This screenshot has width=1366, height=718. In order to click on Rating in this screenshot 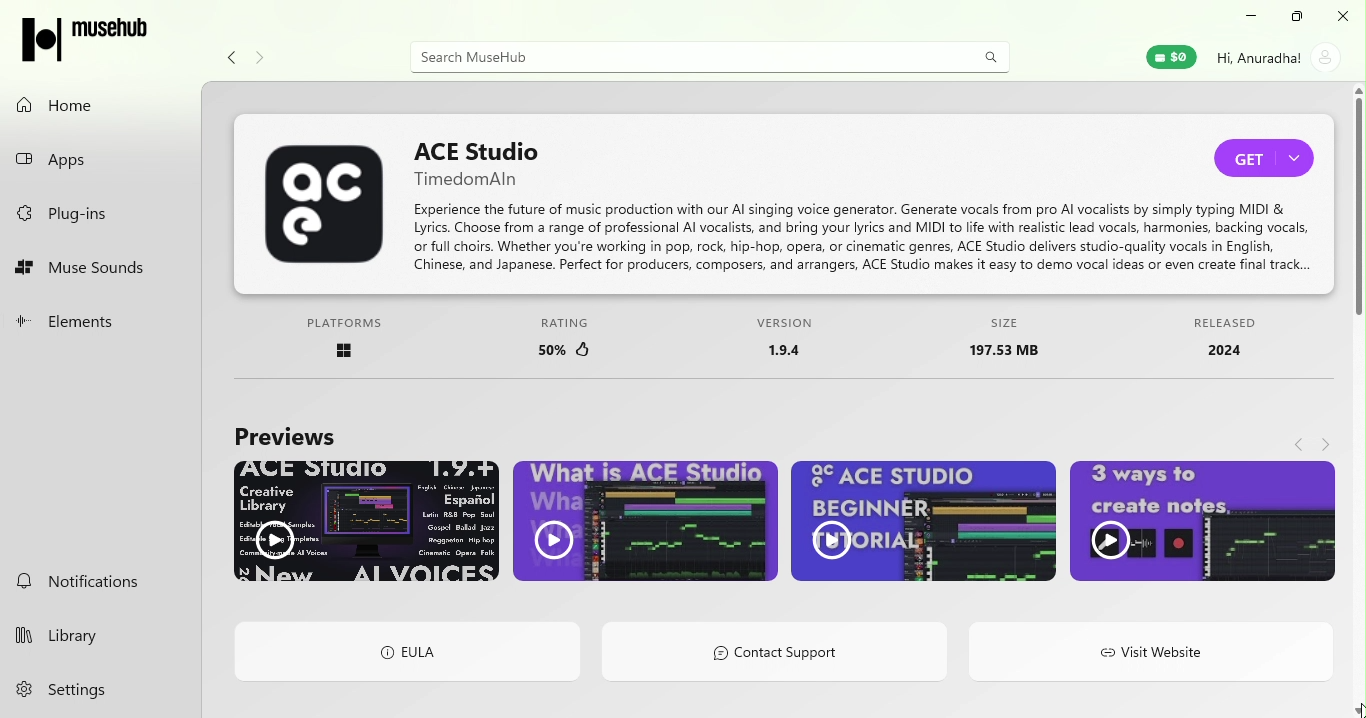, I will do `click(572, 343)`.